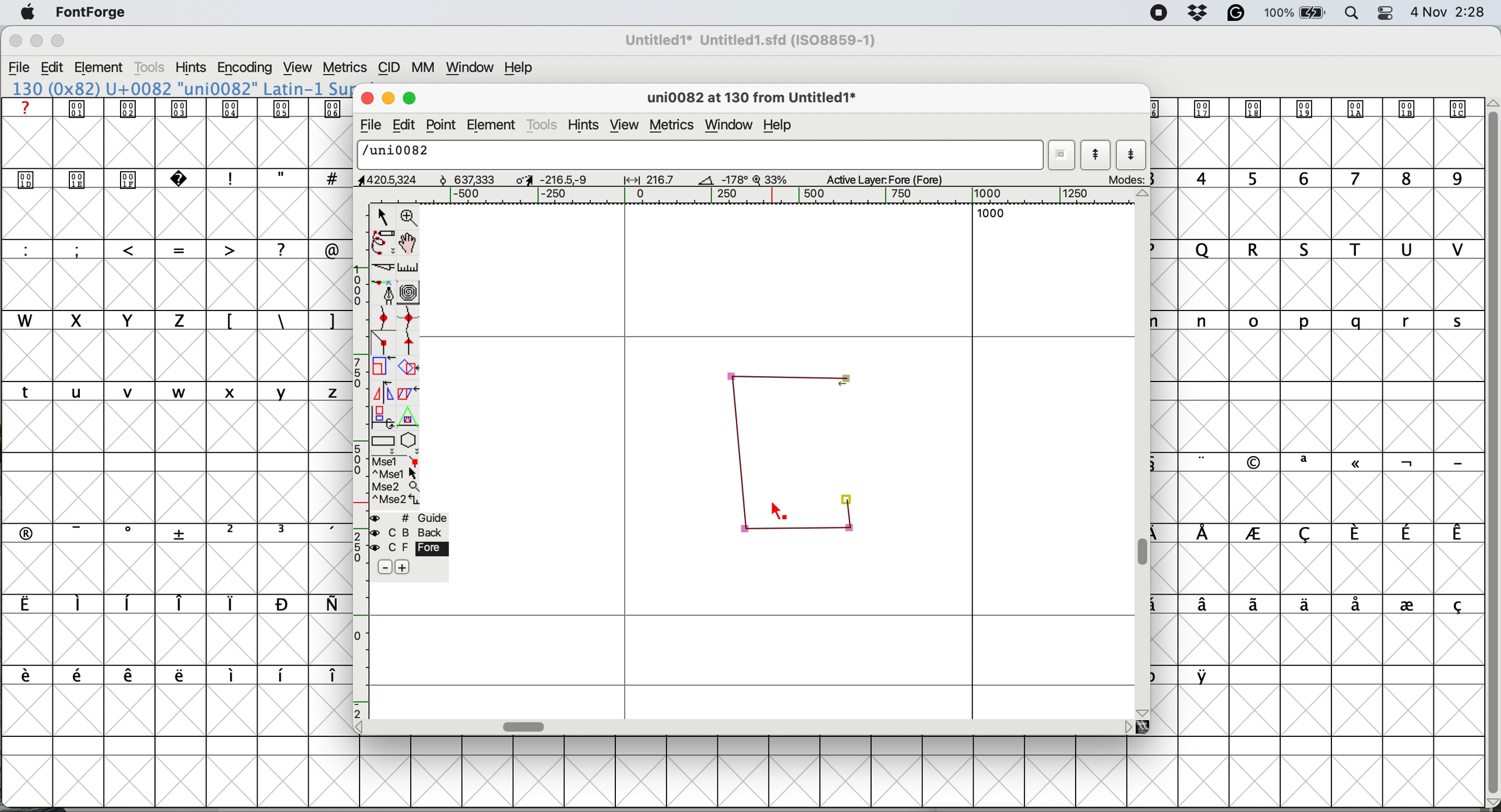 The image size is (1501, 812). Describe the element at coordinates (522, 68) in the screenshot. I see `help` at that location.